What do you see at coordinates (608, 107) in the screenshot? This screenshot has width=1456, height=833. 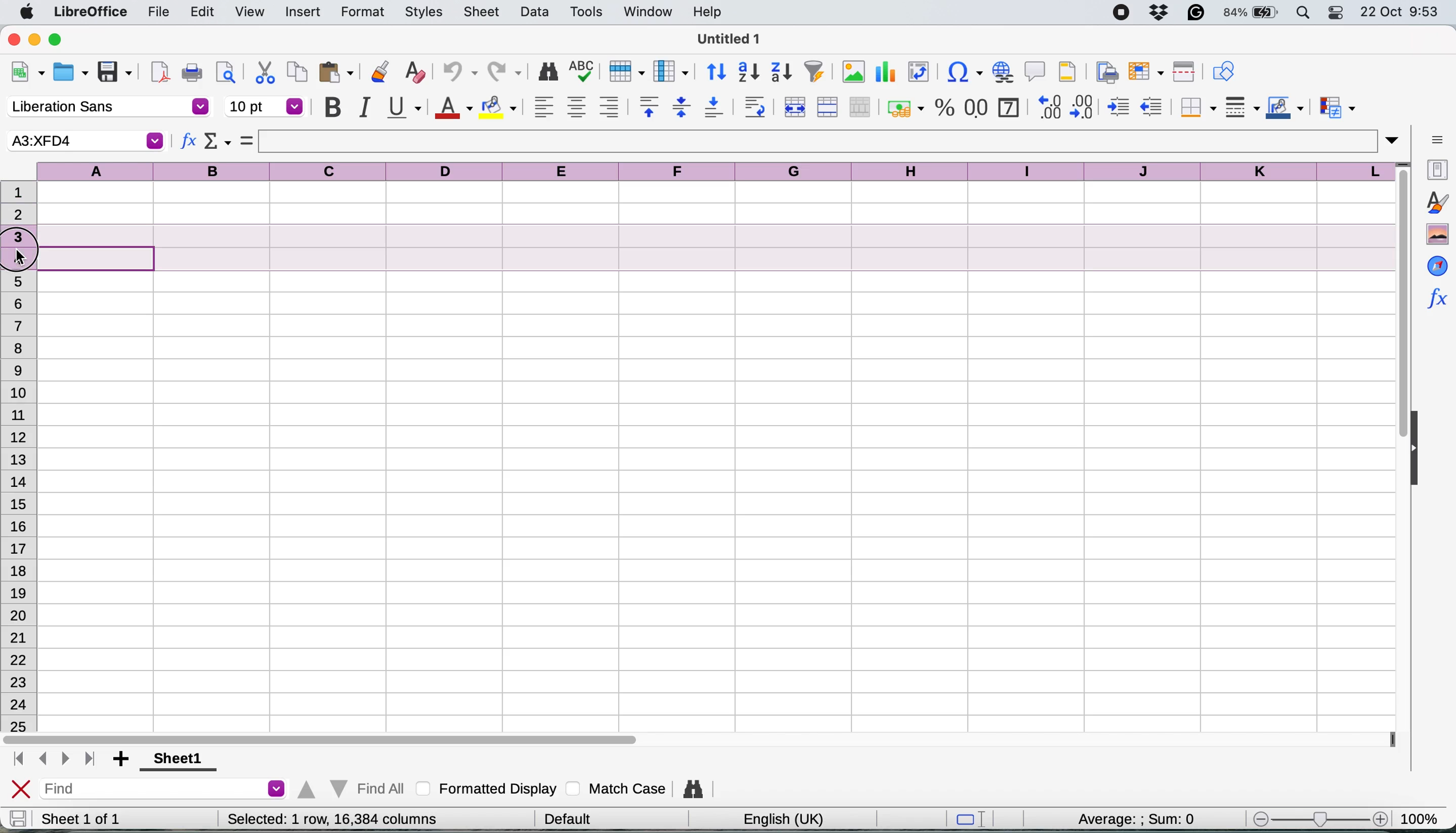 I see `align right` at bounding box center [608, 107].